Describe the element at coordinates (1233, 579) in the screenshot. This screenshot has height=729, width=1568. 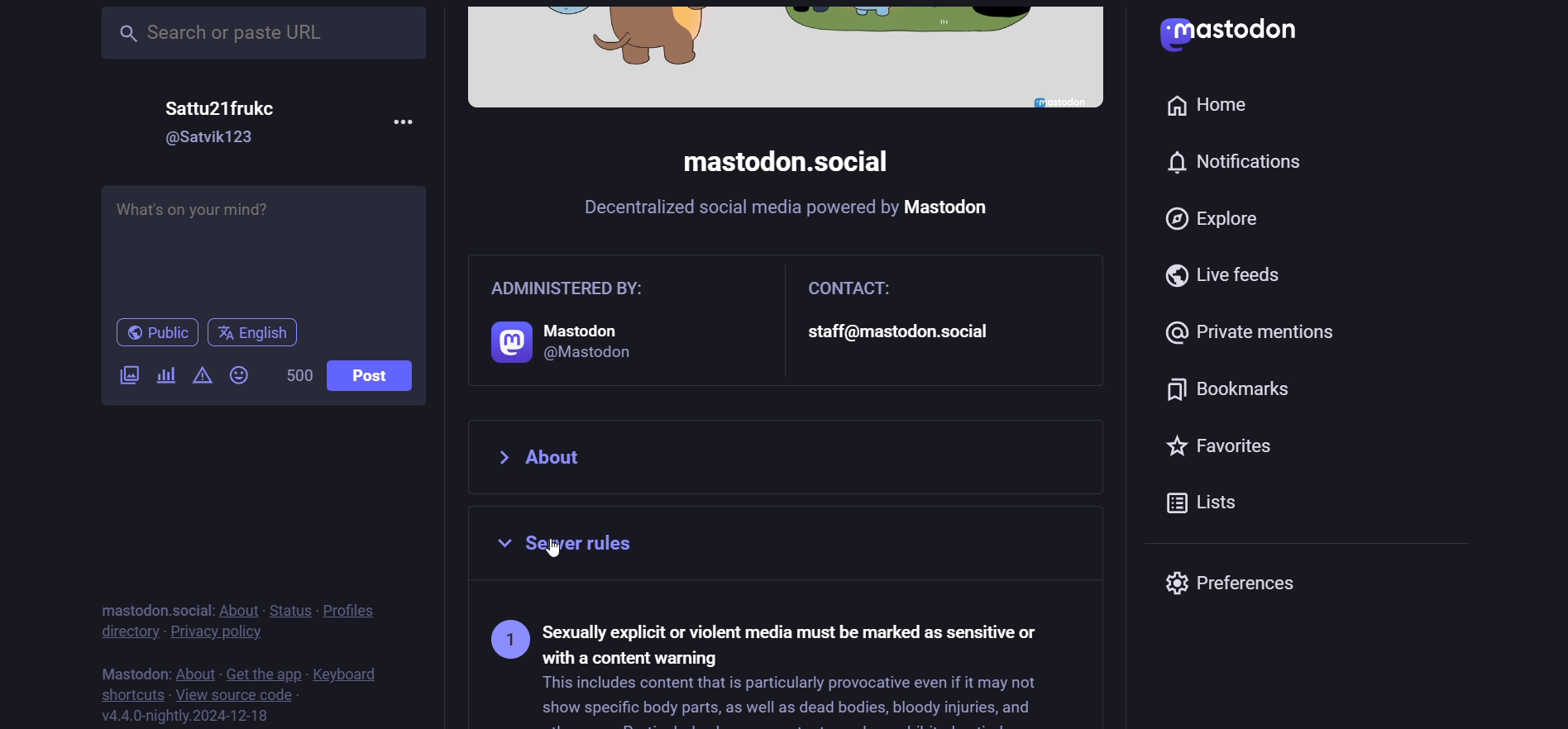
I see `preferences` at that location.